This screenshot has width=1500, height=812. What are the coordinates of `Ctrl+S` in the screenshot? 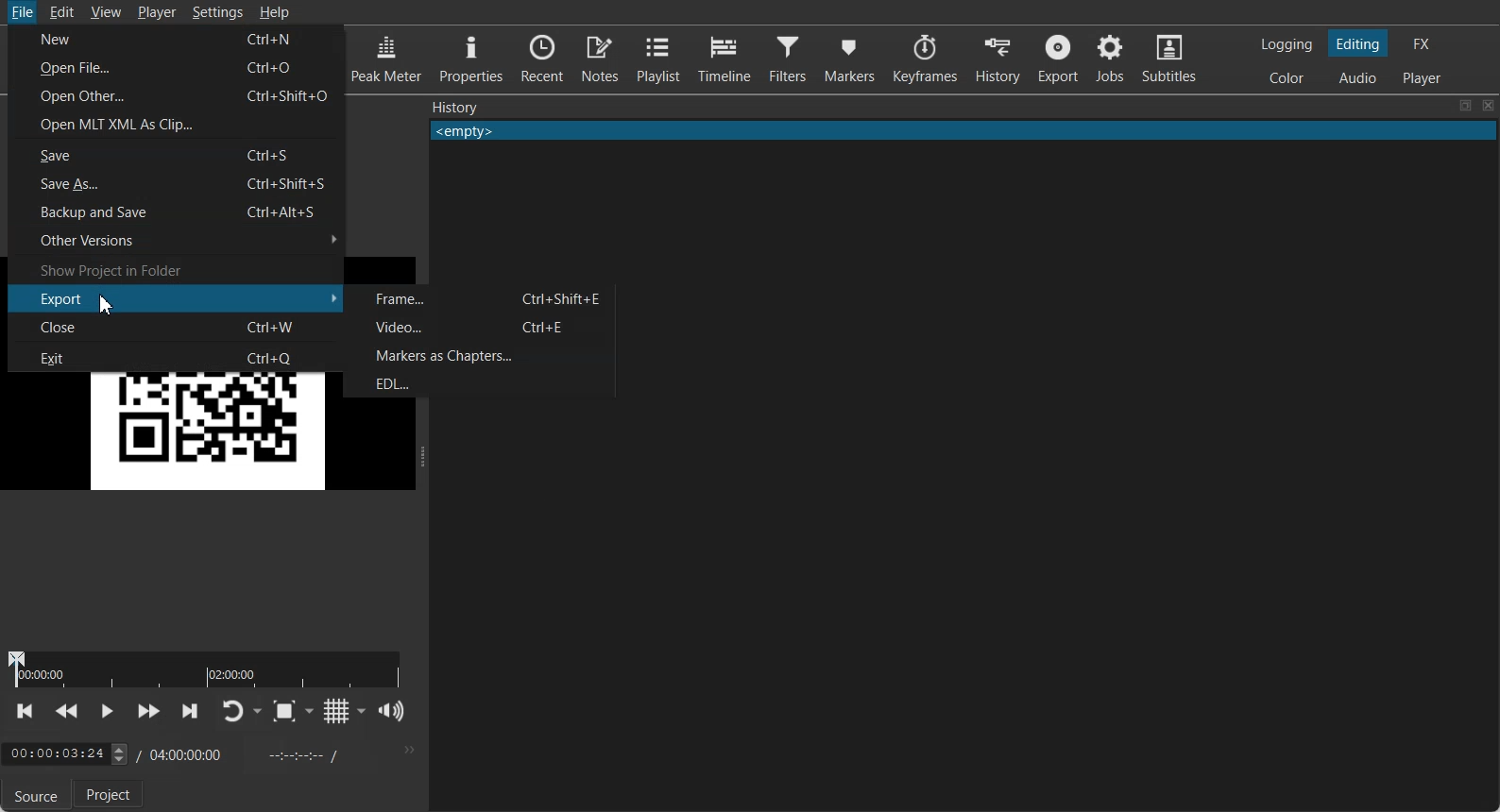 It's located at (275, 156).